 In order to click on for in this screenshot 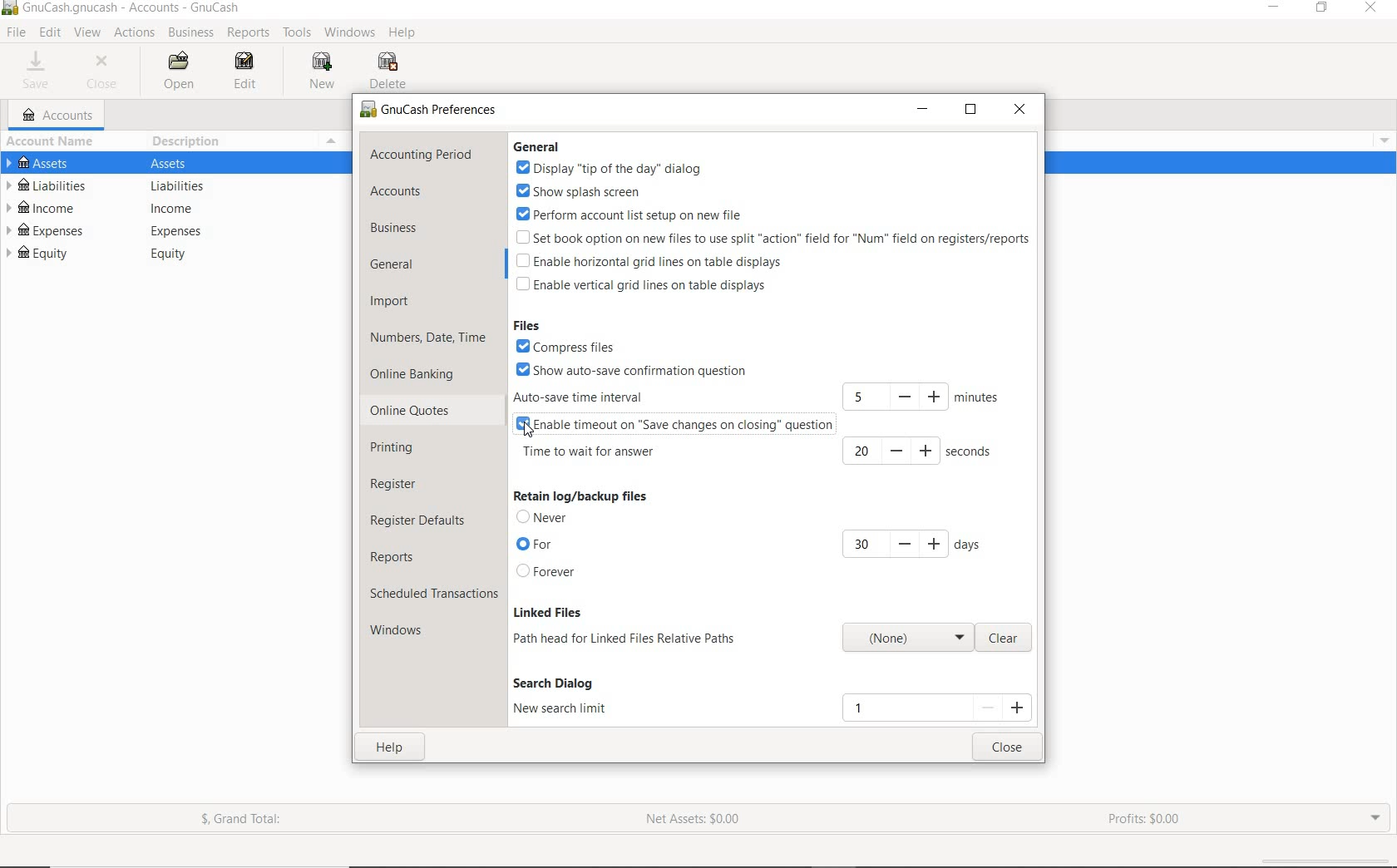, I will do `click(536, 545)`.